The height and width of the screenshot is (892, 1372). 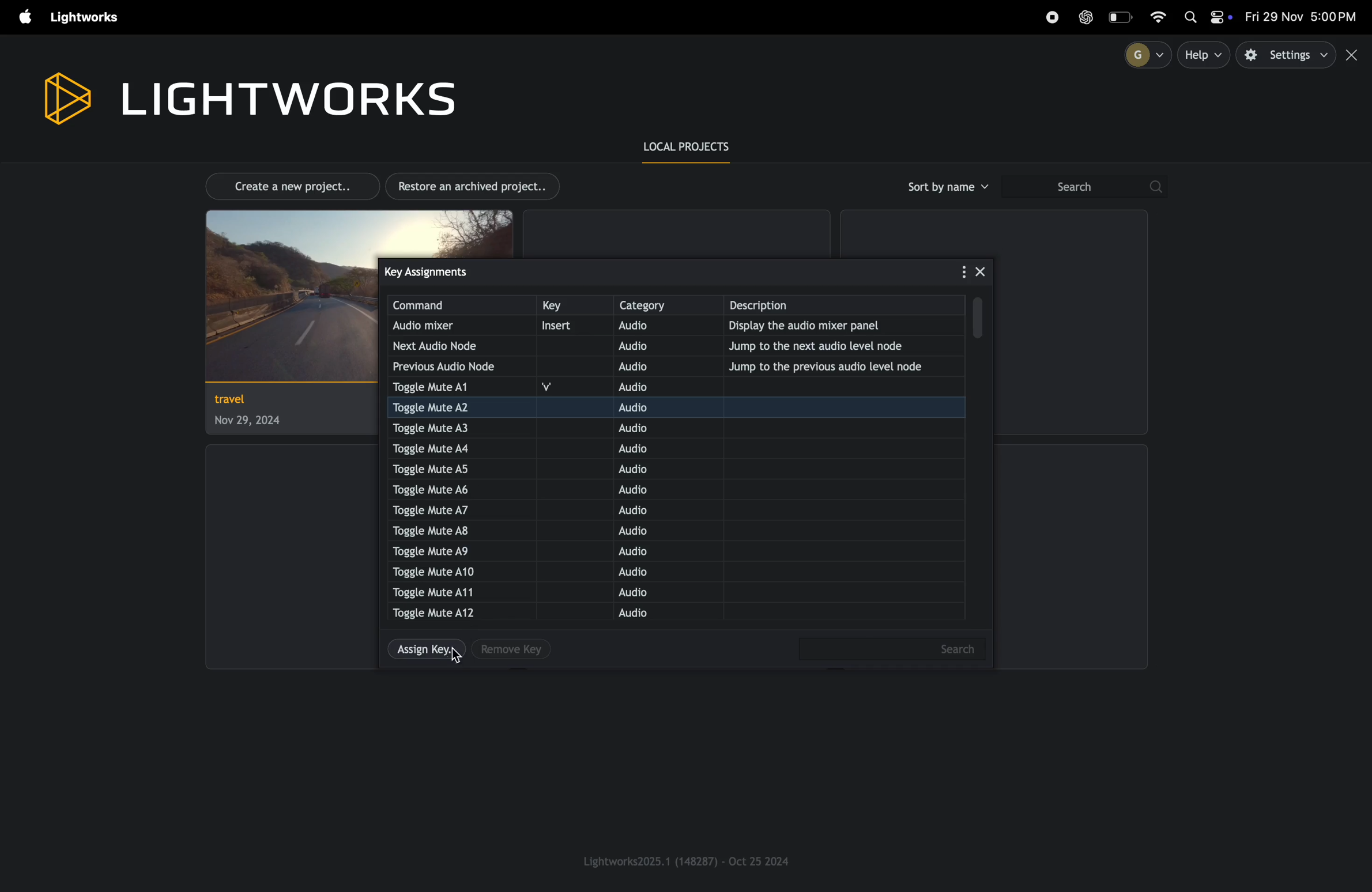 What do you see at coordinates (648, 593) in the screenshot?
I see `audio` at bounding box center [648, 593].